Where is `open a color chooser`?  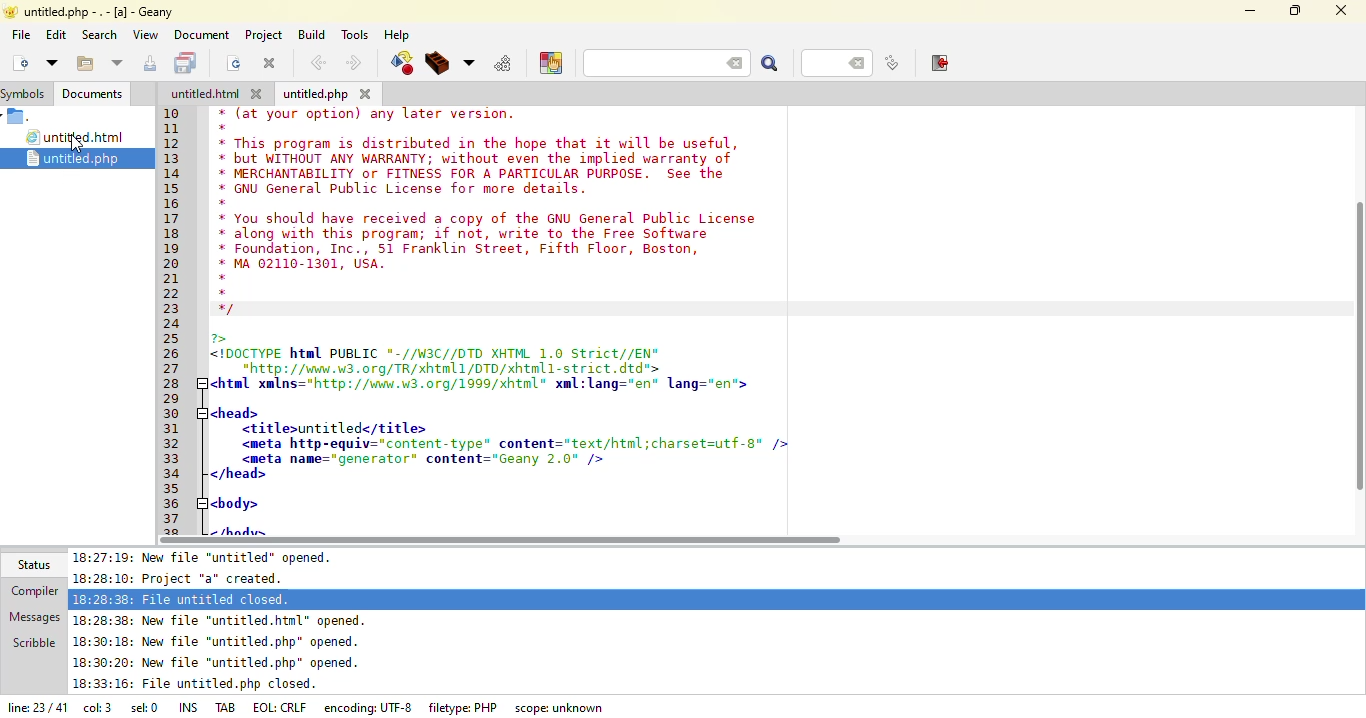
open a color chooser is located at coordinates (551, 64).